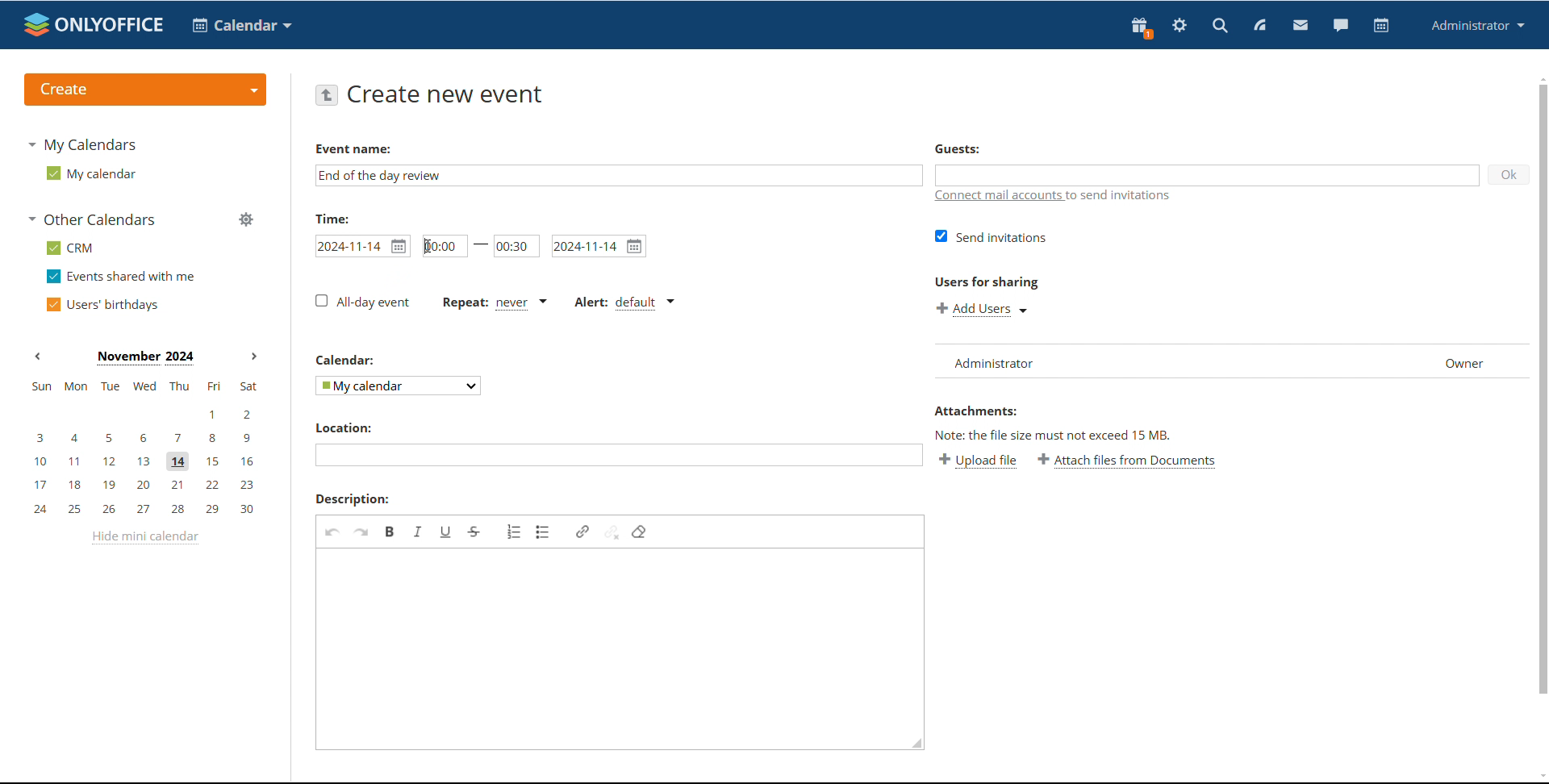  What do you see at coordinates (446, 532) in the screenshot?
I see `underline` at bounding box center [446, 532].